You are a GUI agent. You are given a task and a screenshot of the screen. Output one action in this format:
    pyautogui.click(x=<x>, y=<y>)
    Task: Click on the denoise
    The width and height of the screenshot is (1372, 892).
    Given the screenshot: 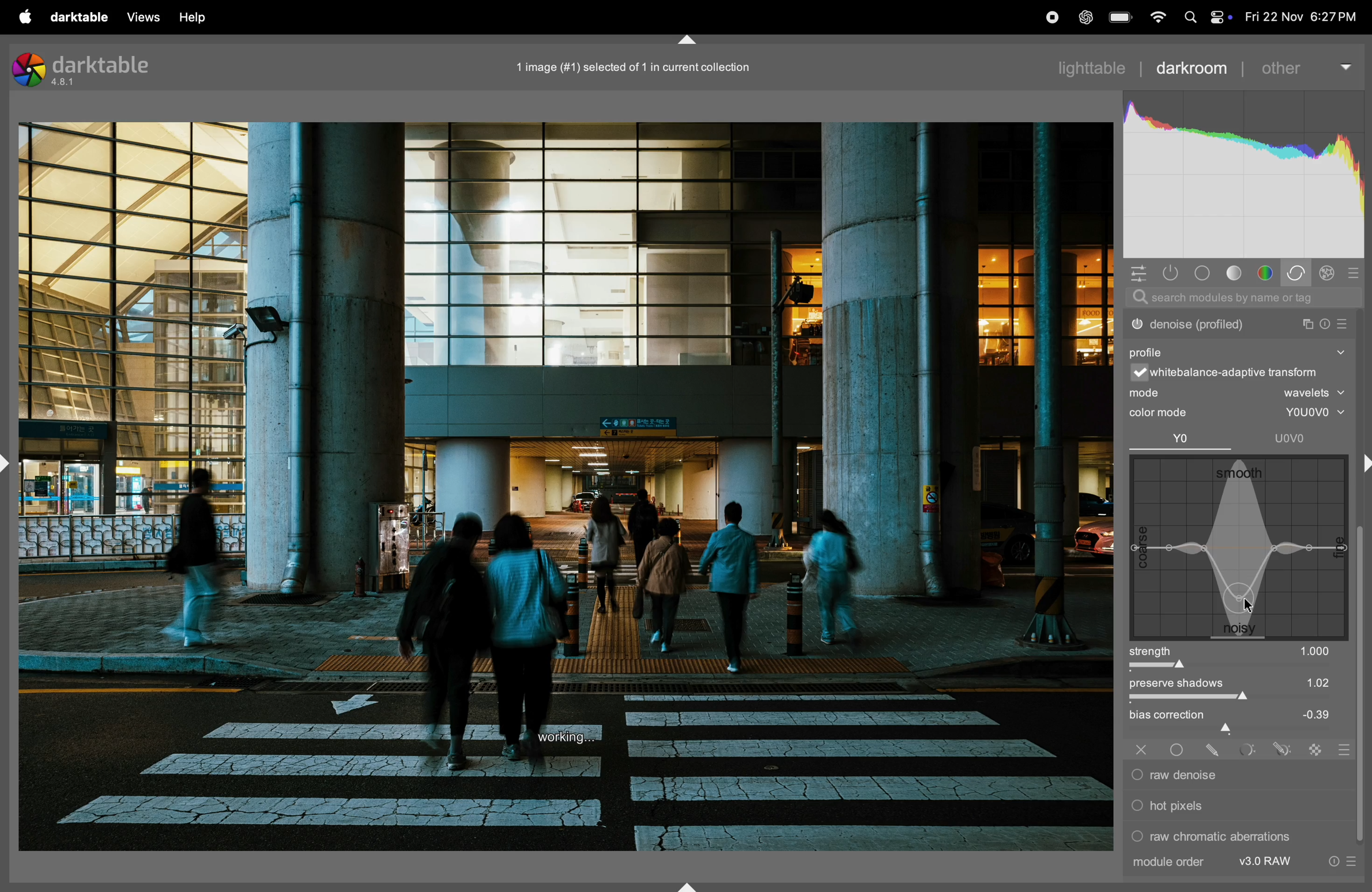 What is the action you would take?
    pyautogui.click(x=1220, y=324)
    